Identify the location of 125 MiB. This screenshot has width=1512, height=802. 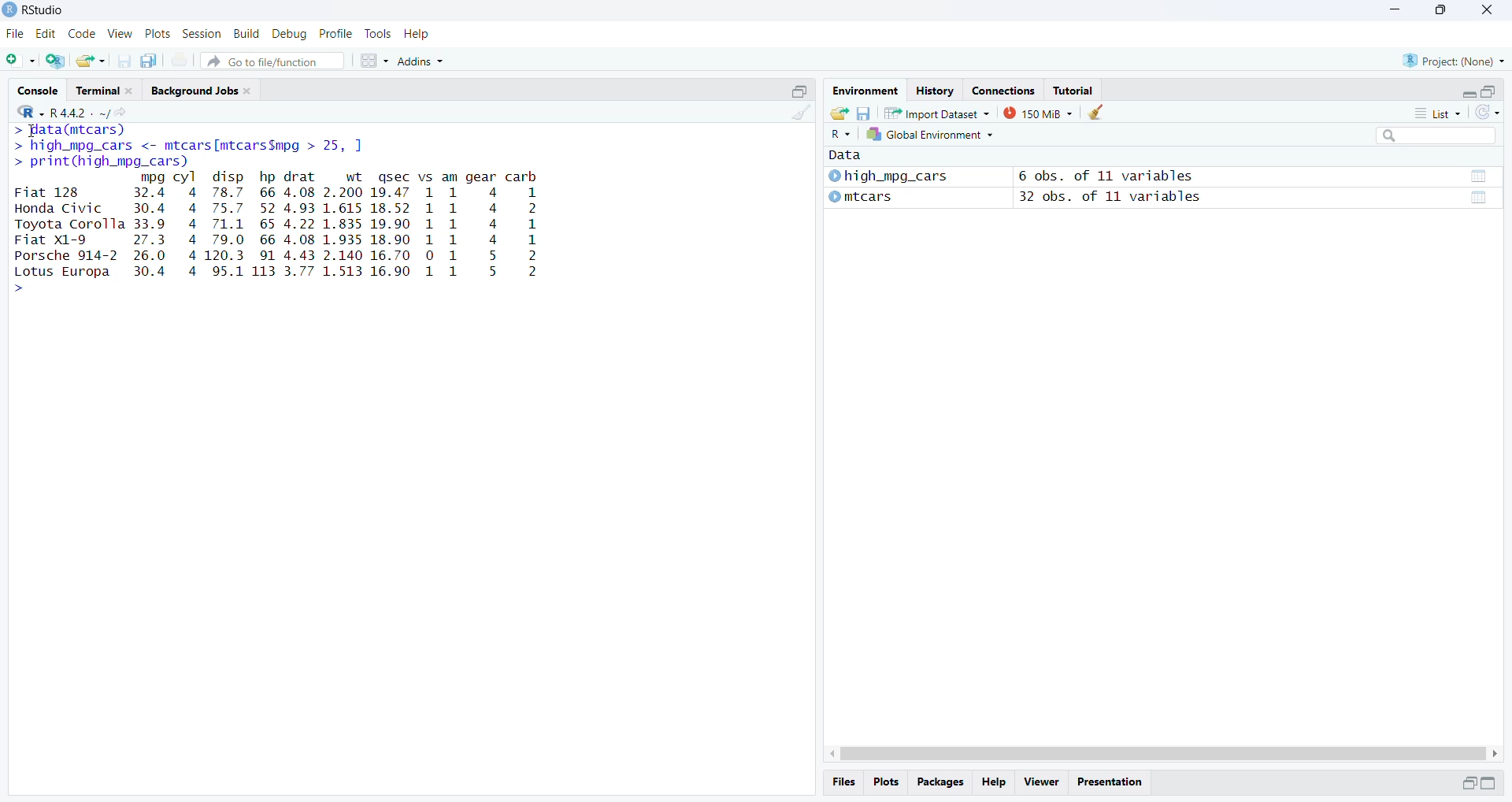
(1036, 113).